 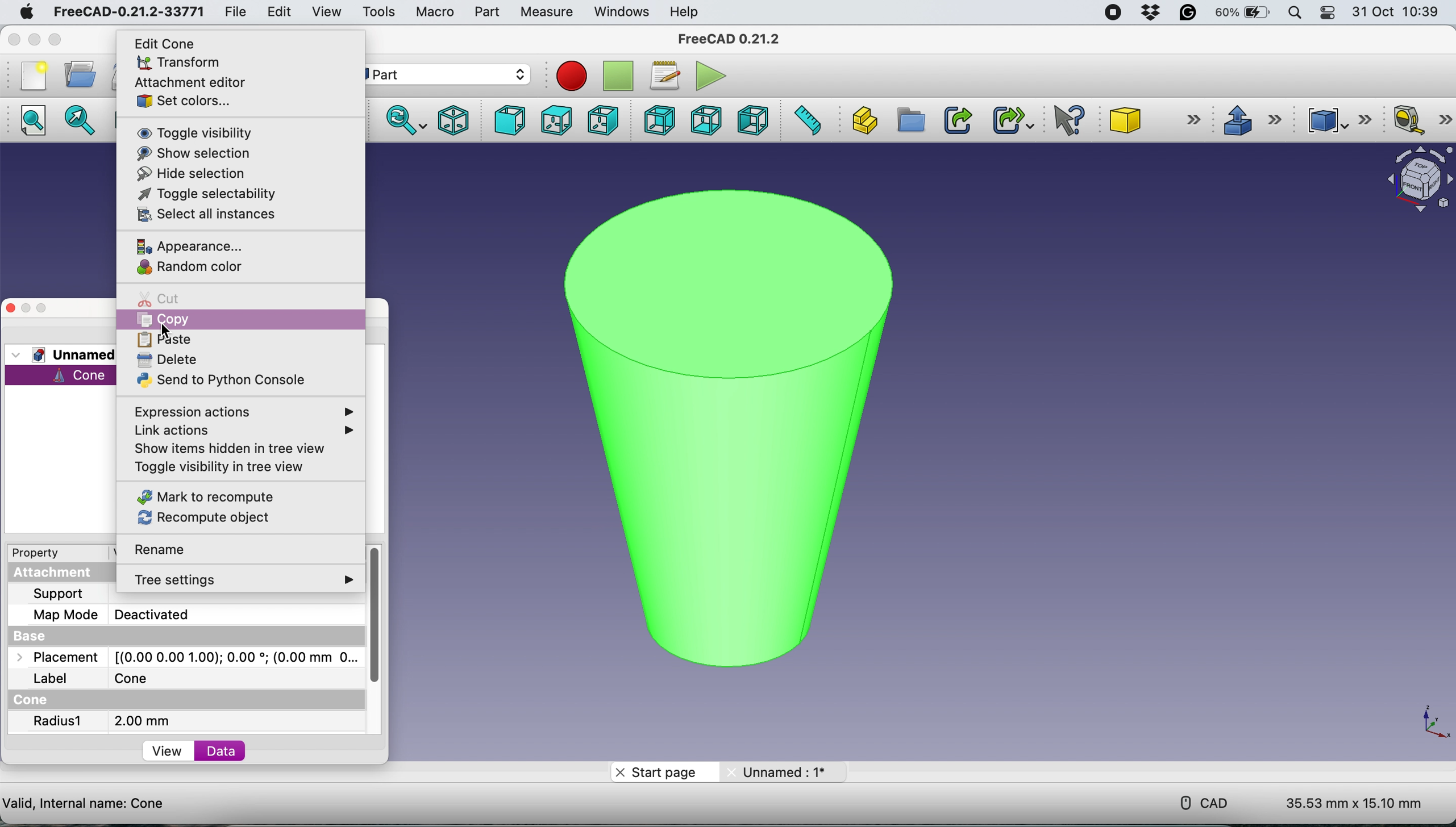 I want to click on recompute object, so click(x=206, y=517).